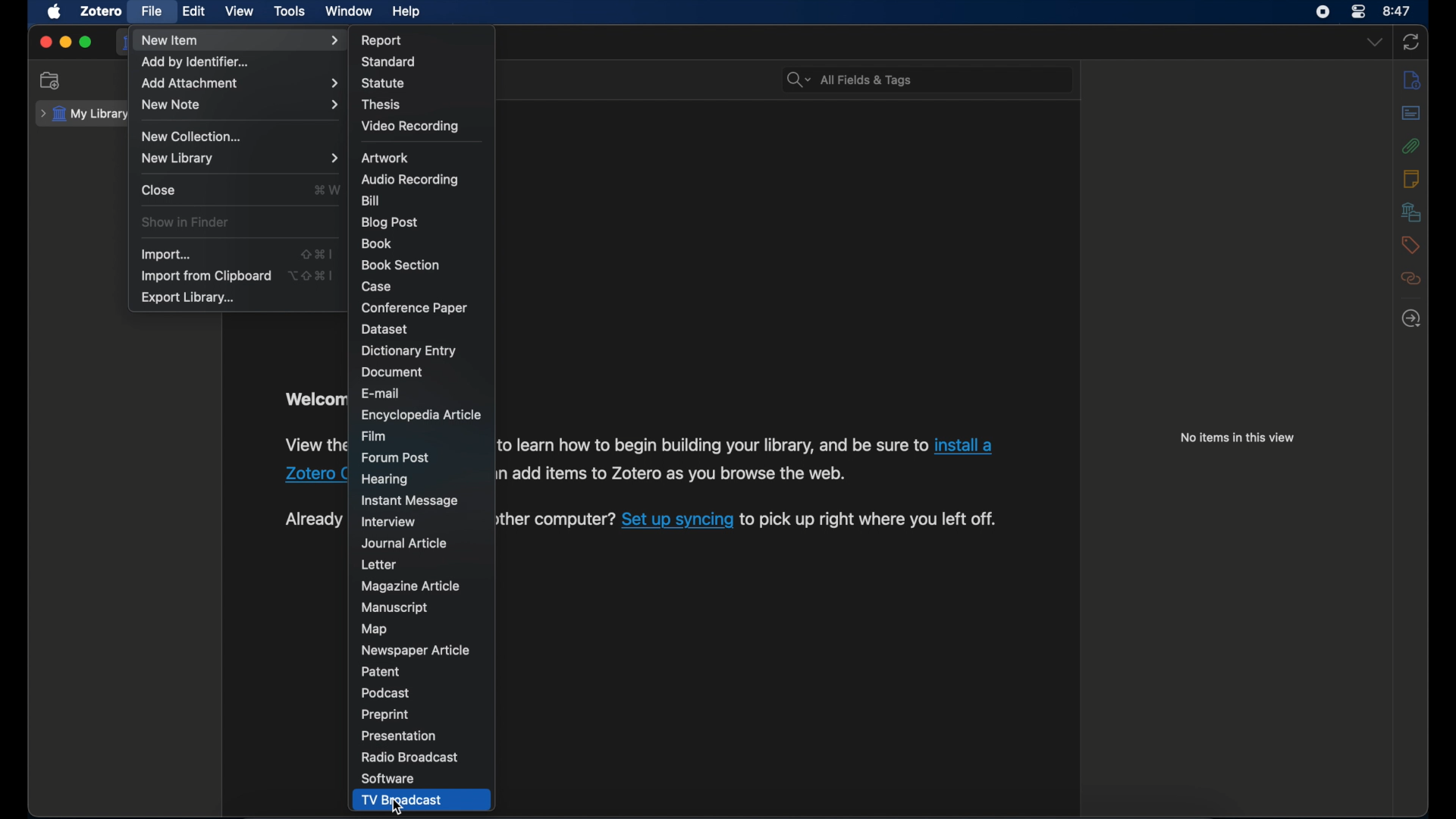 This screenshot has height=819, width=1456. Describe the element at coordinates (394, 607) in the screenshot. I see `manuscript` at that location.